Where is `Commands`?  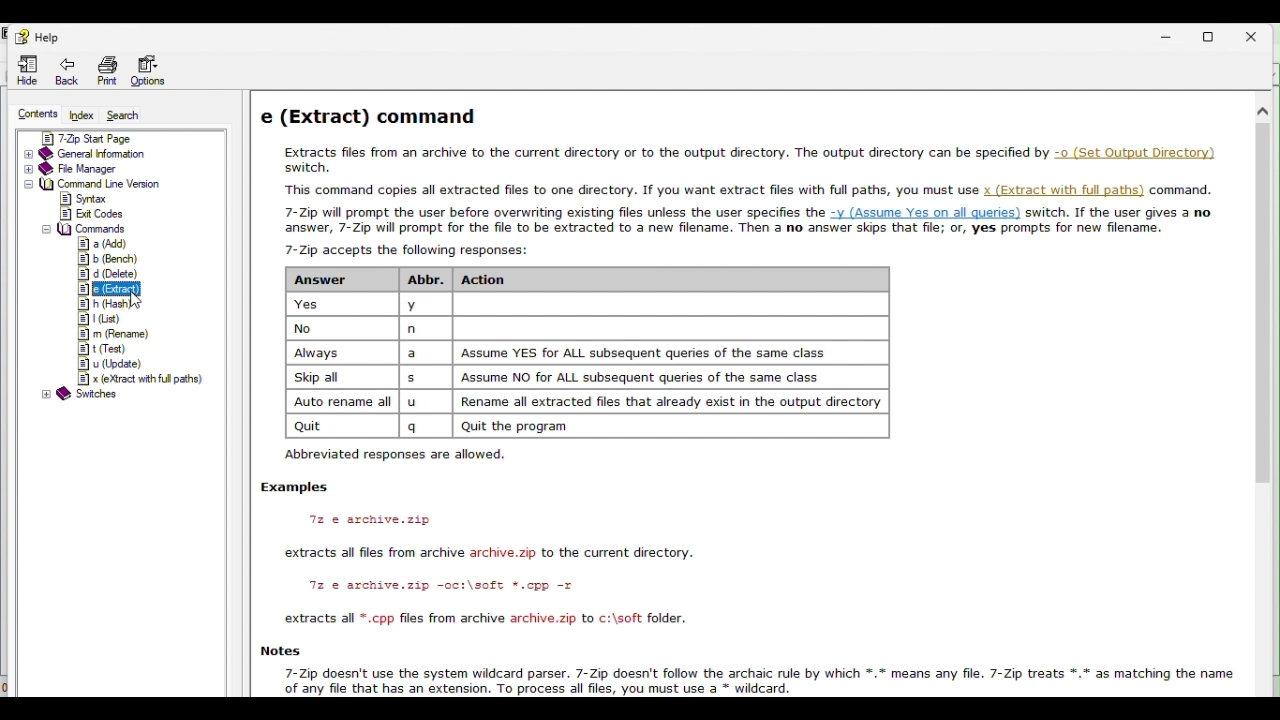 Commands is located at coordinates (83, 229).